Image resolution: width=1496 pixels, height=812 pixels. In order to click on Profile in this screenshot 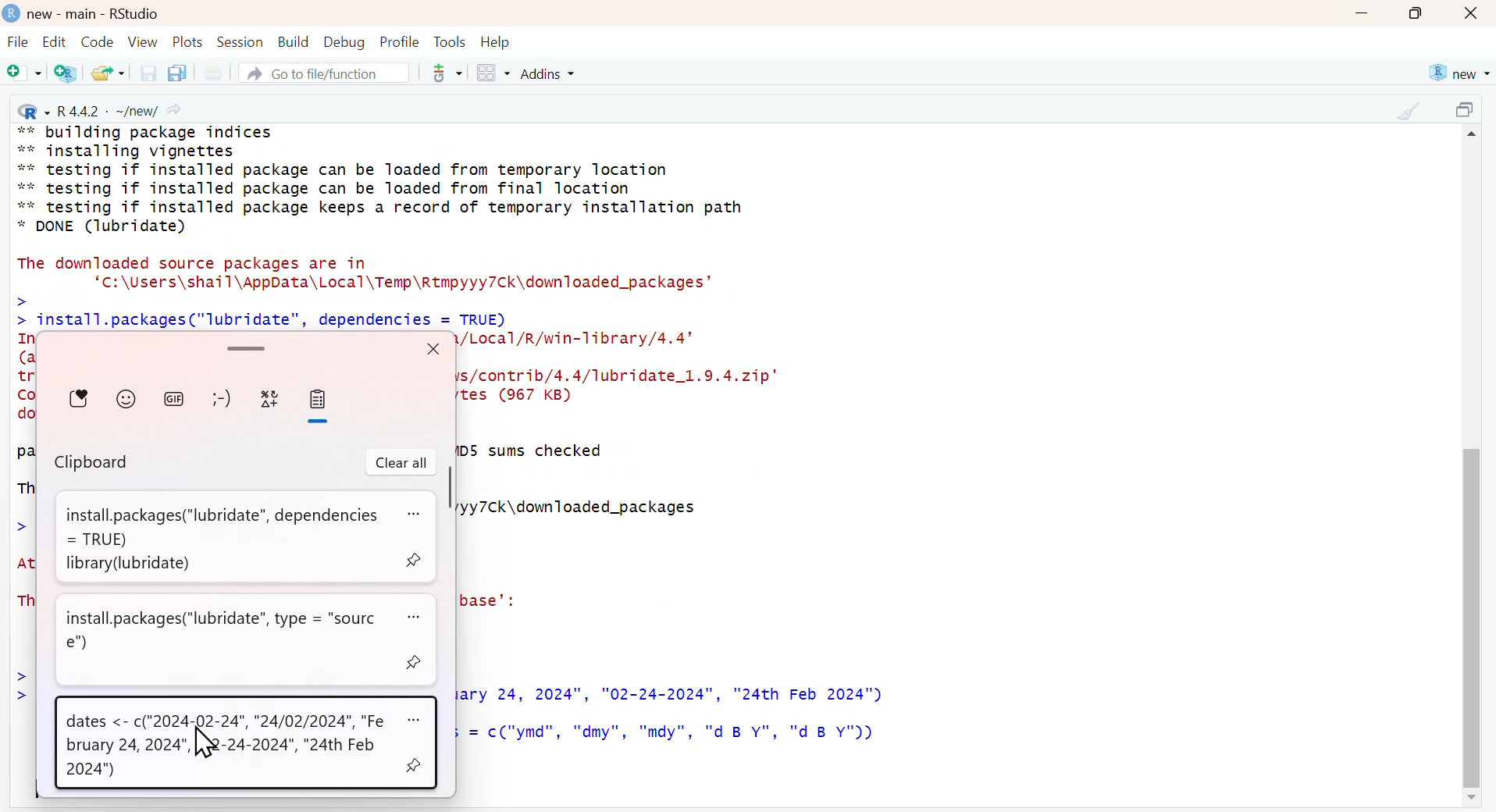, I will do `click(400, 41)`.